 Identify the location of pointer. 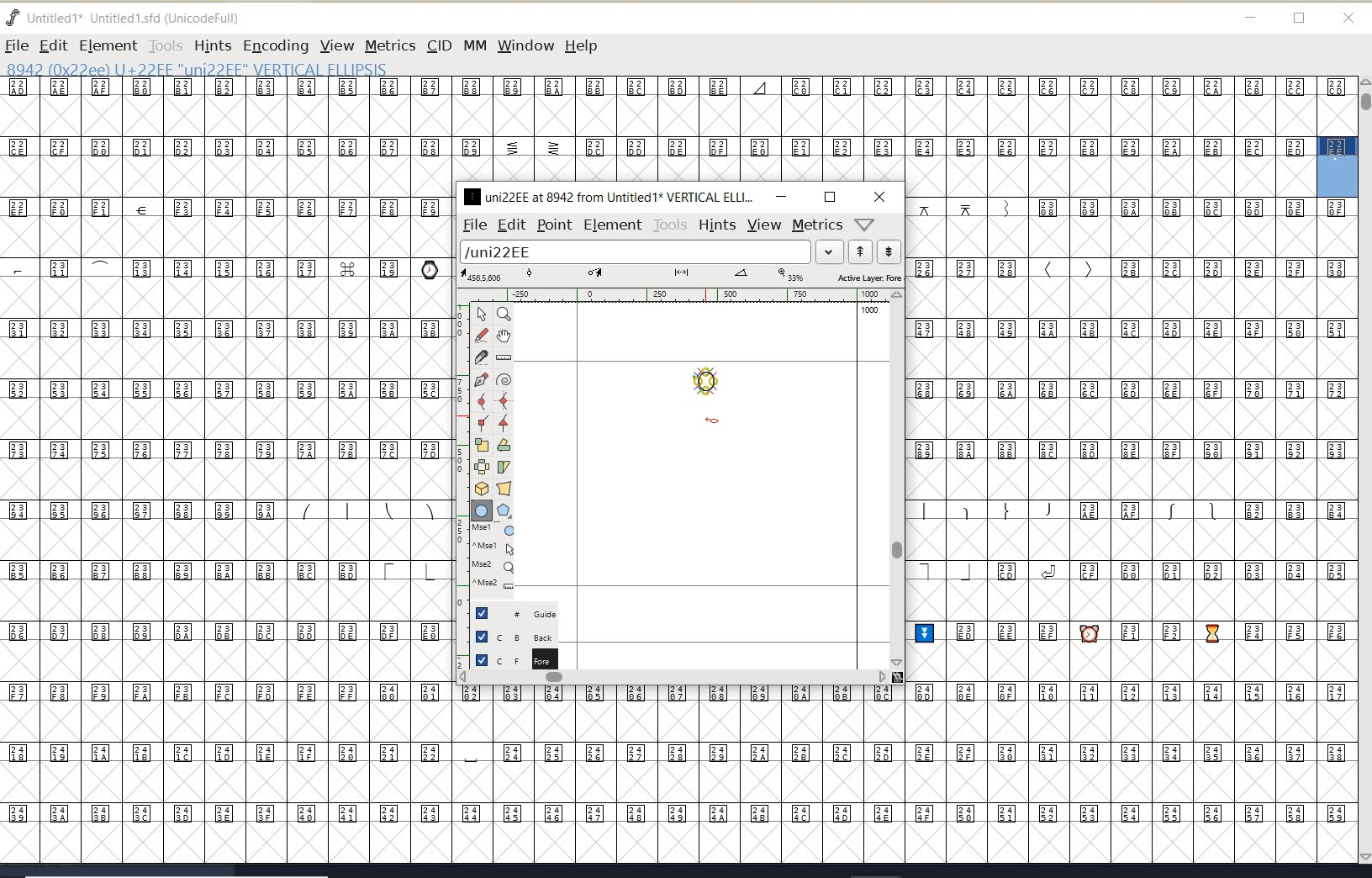
(483, 315).